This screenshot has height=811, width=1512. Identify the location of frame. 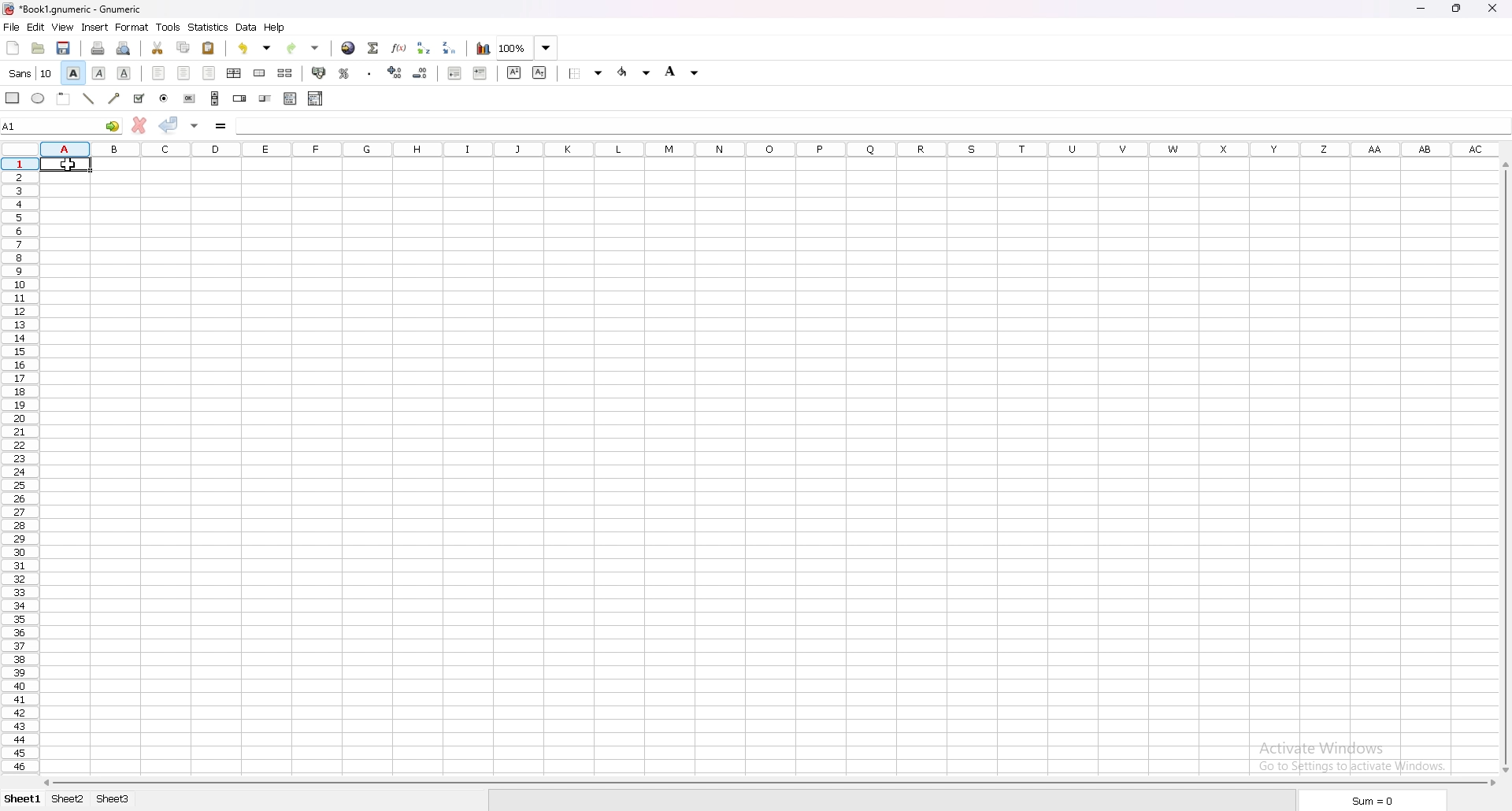
(64, 98).